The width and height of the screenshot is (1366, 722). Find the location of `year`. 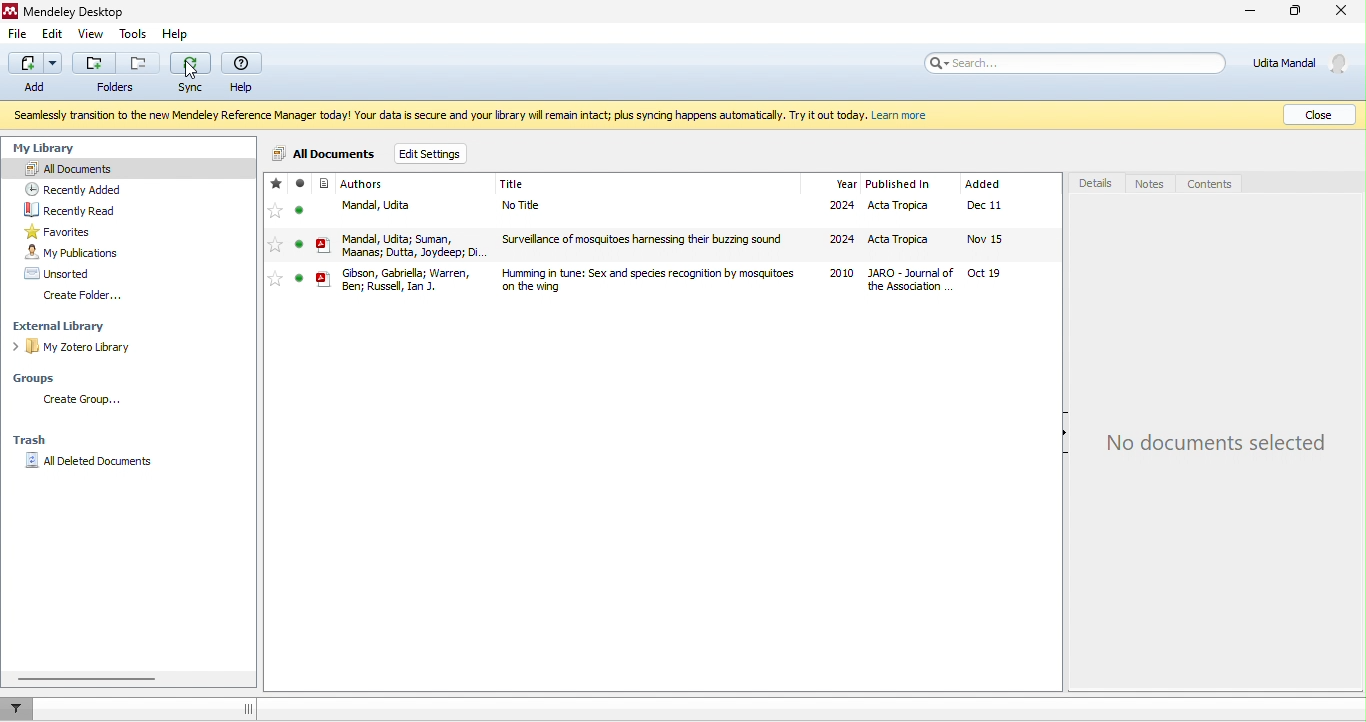

year is located at coordinates (847, 184).